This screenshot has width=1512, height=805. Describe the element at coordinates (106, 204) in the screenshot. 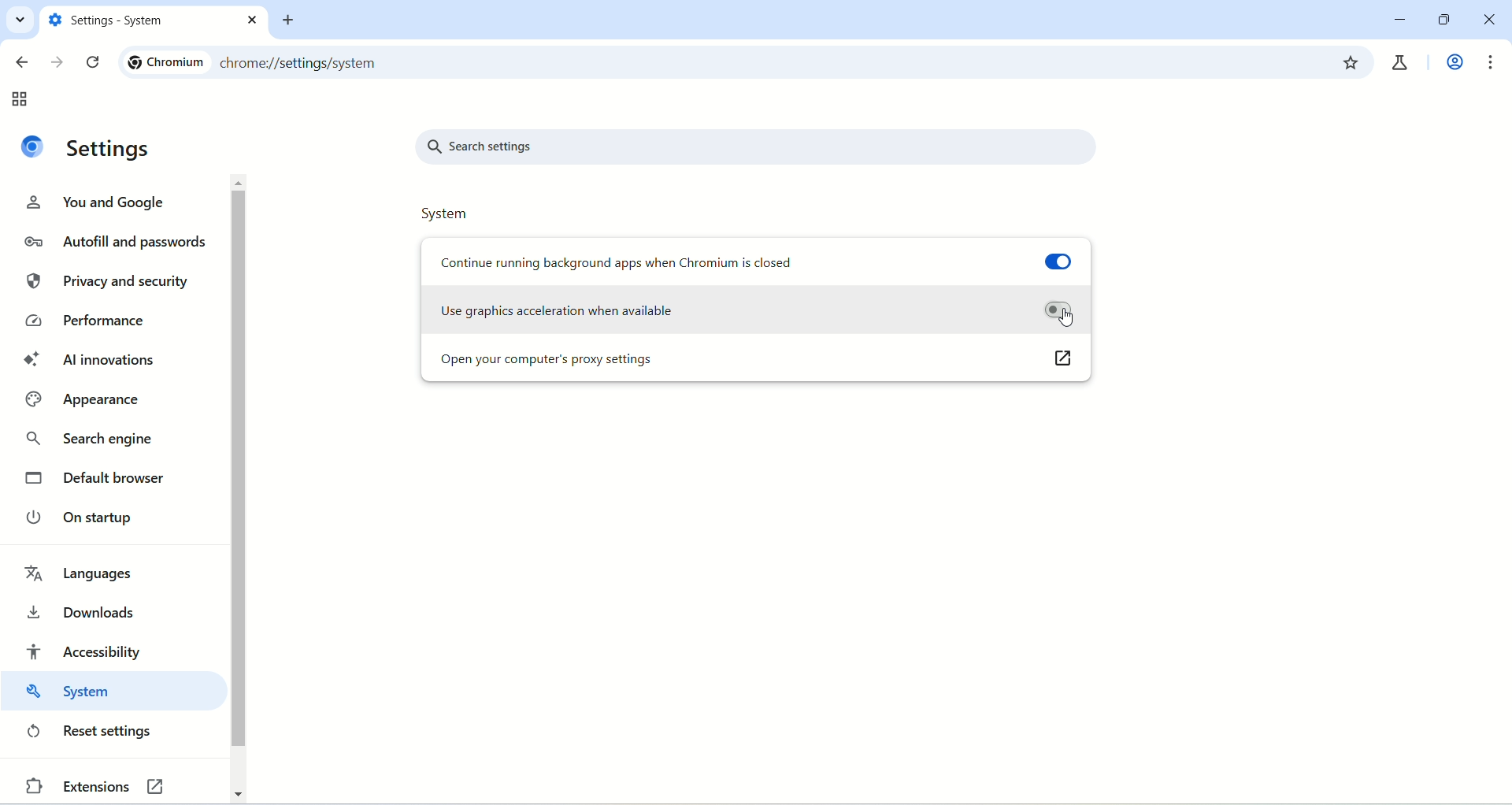

I see `you and google` at that location.